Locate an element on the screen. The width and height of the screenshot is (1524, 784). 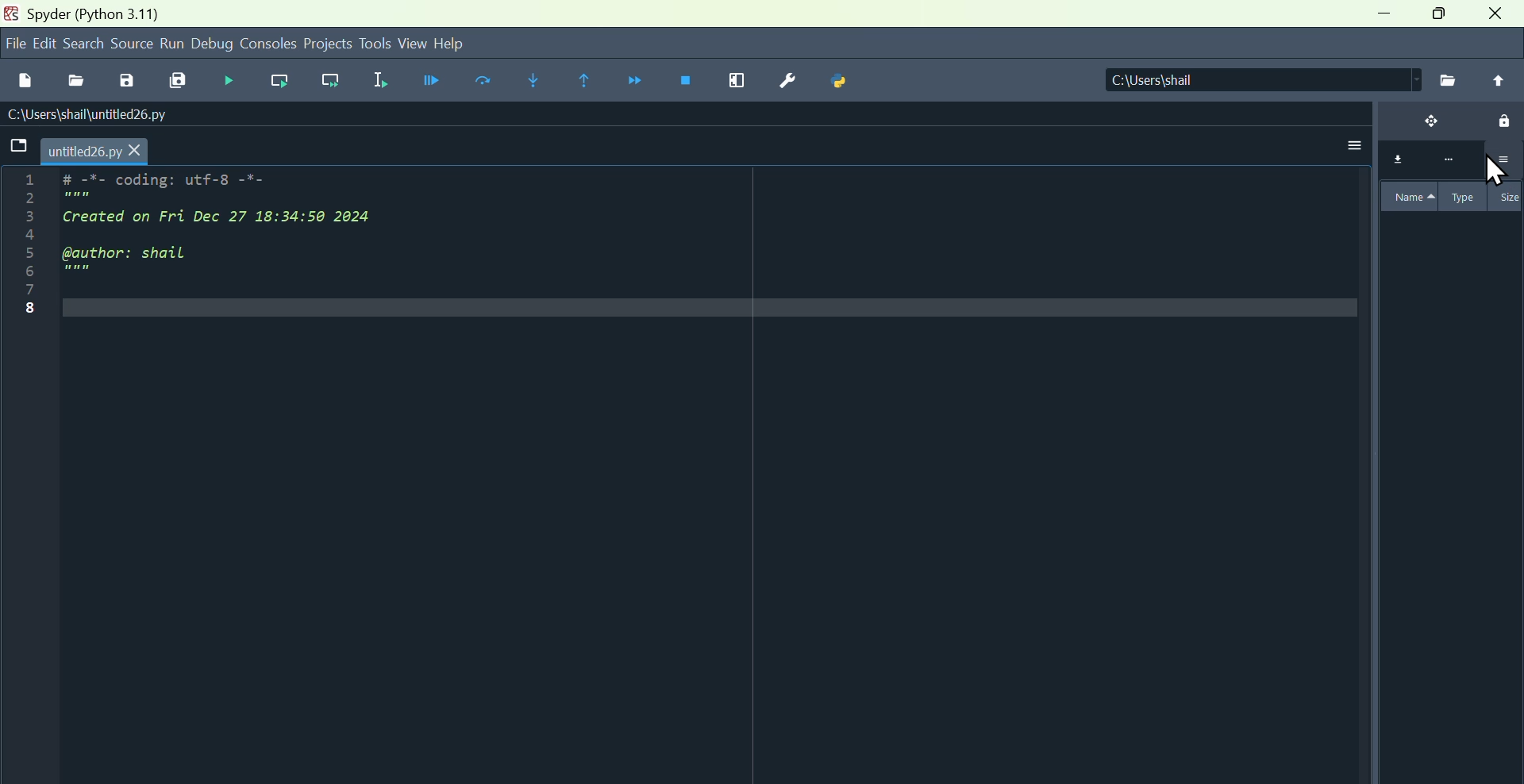
# -*- coding: utf-8 -*-
Created on Fri Dec 27 18:34:50 2024
@author: shail is located at coordinates (254, 234).